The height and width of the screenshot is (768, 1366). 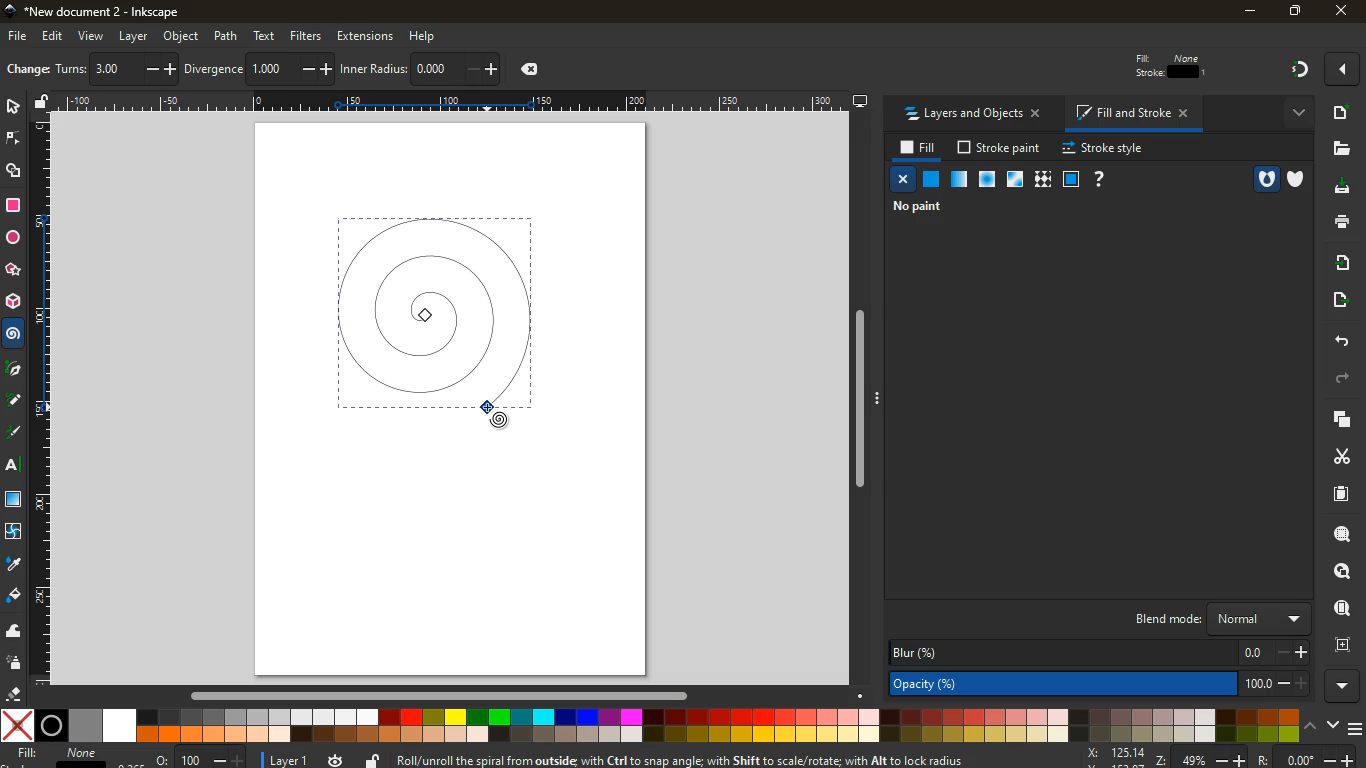 I want to click on spray, so click(x=13, y=665).